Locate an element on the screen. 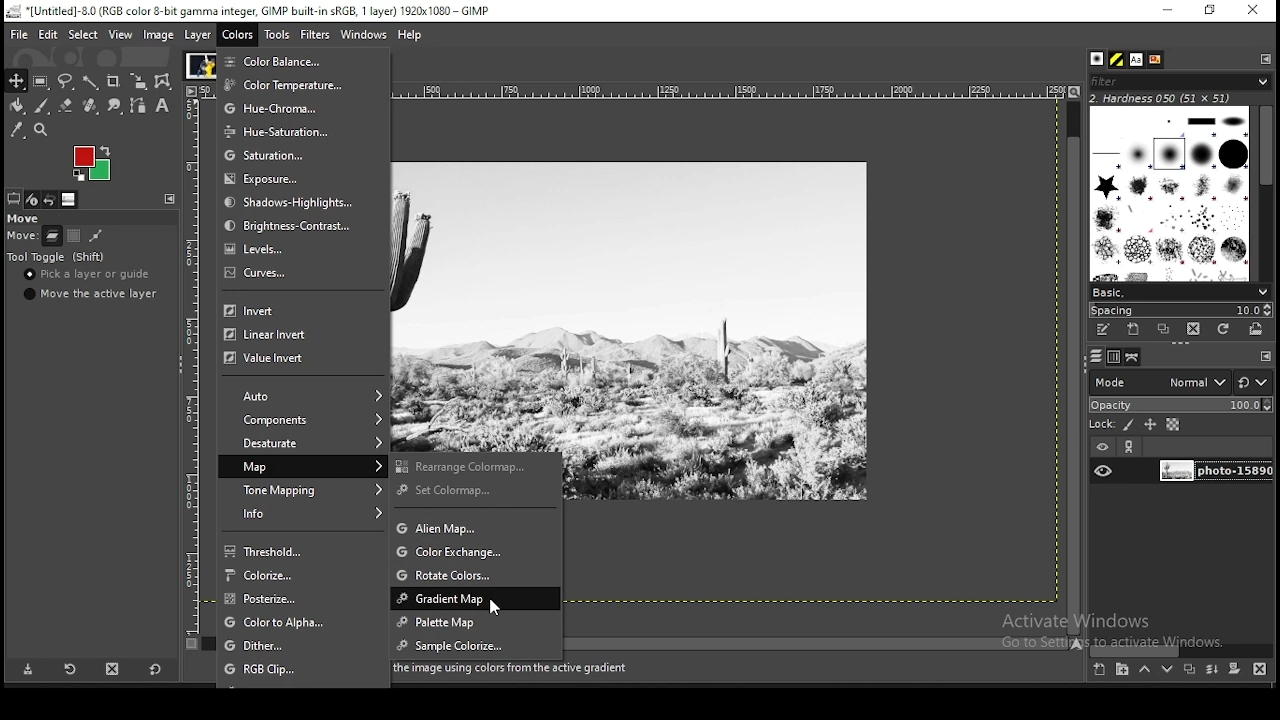 The height and width of the screenshot is (720, 1280). scale tool is located at coordinates (141, 81).